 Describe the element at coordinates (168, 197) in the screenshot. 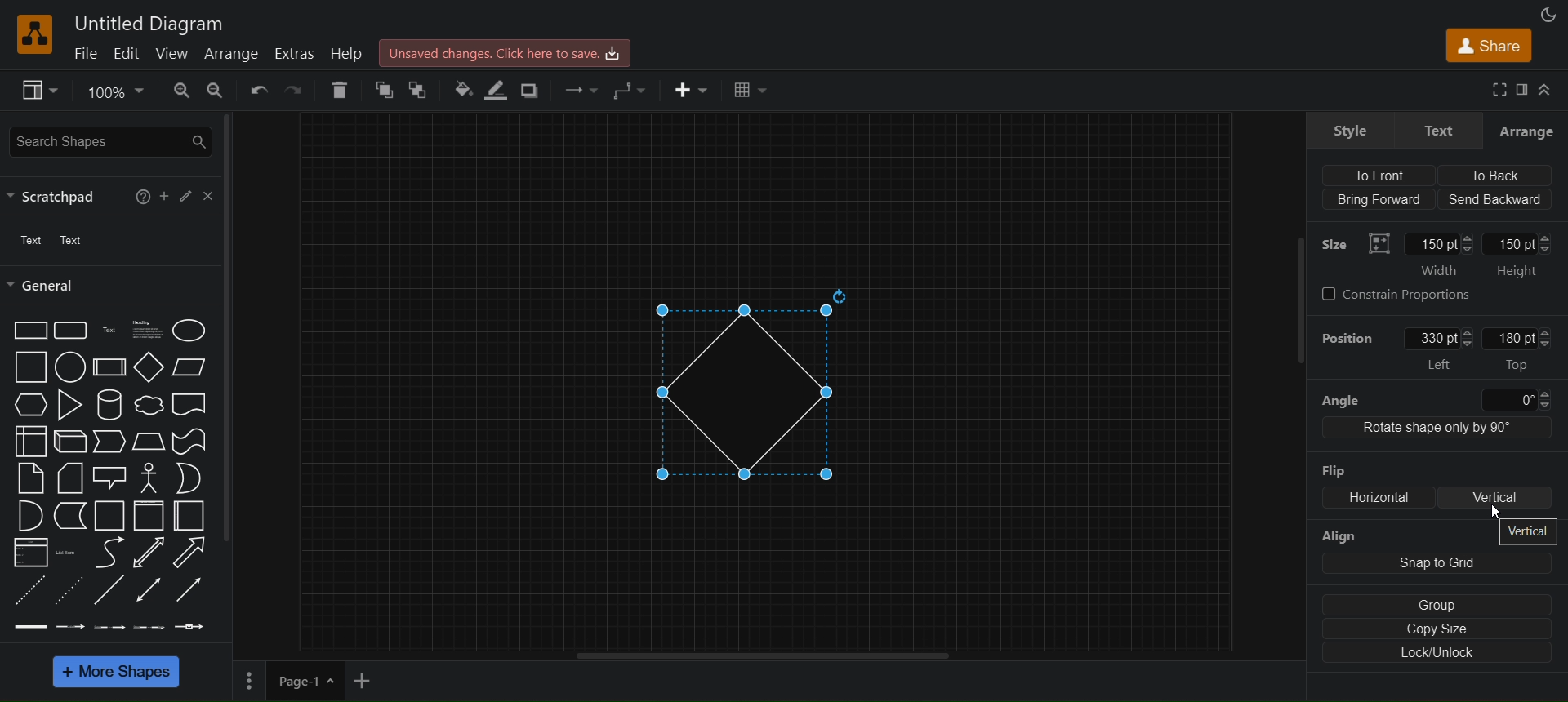

I see `add` at that location.